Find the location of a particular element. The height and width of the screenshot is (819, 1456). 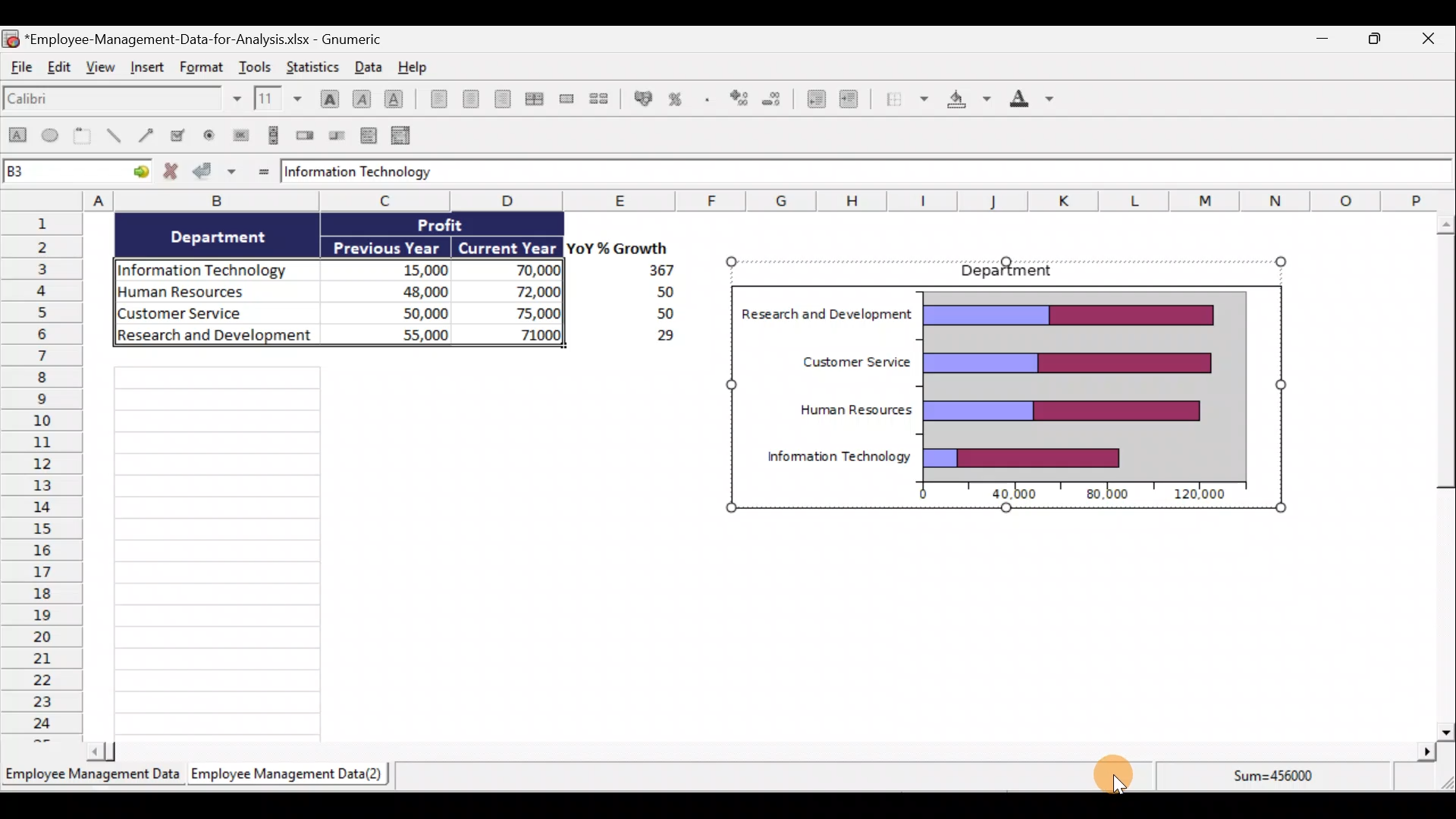

Italic is located at coordinates (362, 99).